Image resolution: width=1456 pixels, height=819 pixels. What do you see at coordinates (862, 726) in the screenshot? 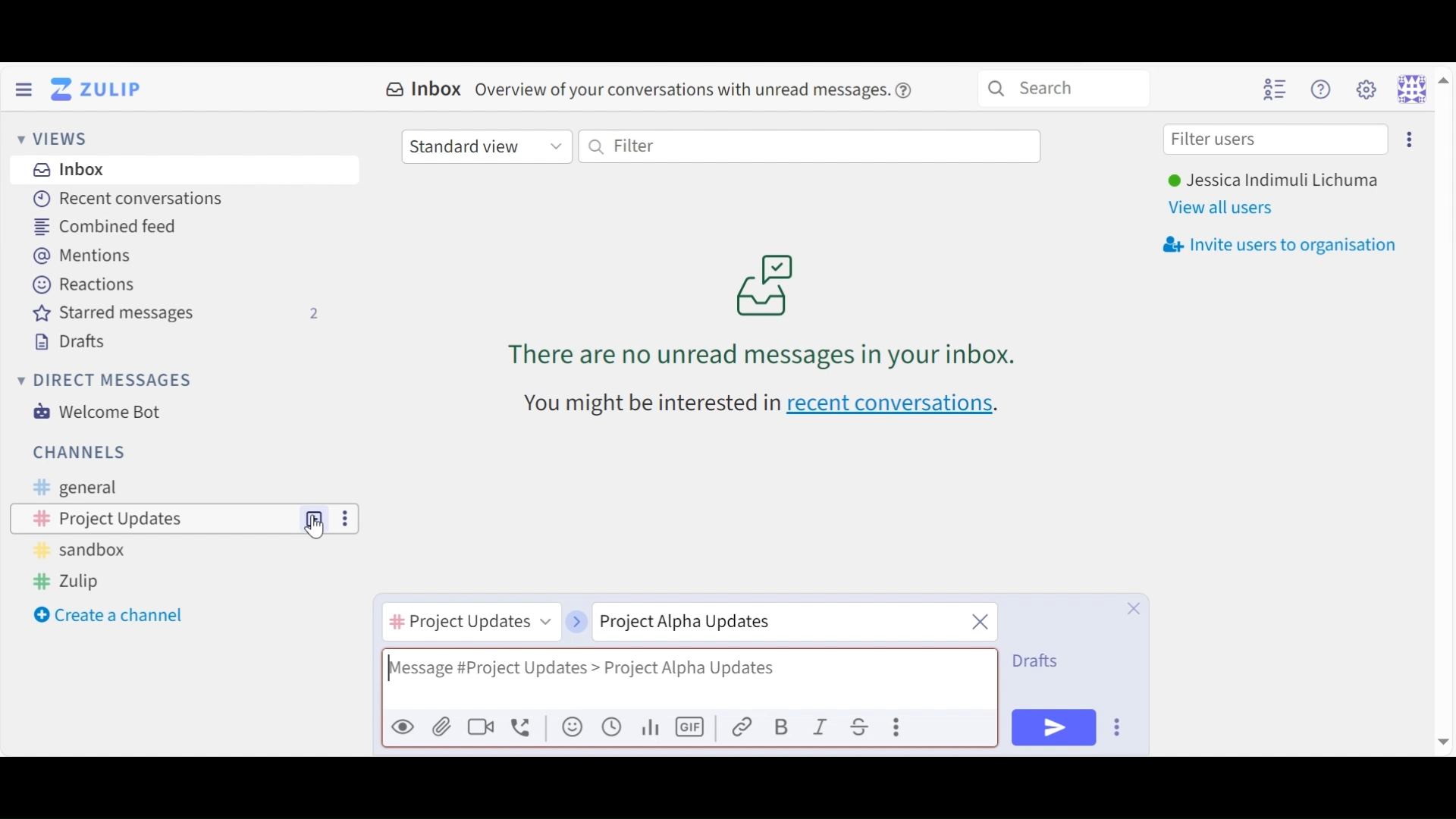
I see `Strikethrough` at bounding box center [862, 726].